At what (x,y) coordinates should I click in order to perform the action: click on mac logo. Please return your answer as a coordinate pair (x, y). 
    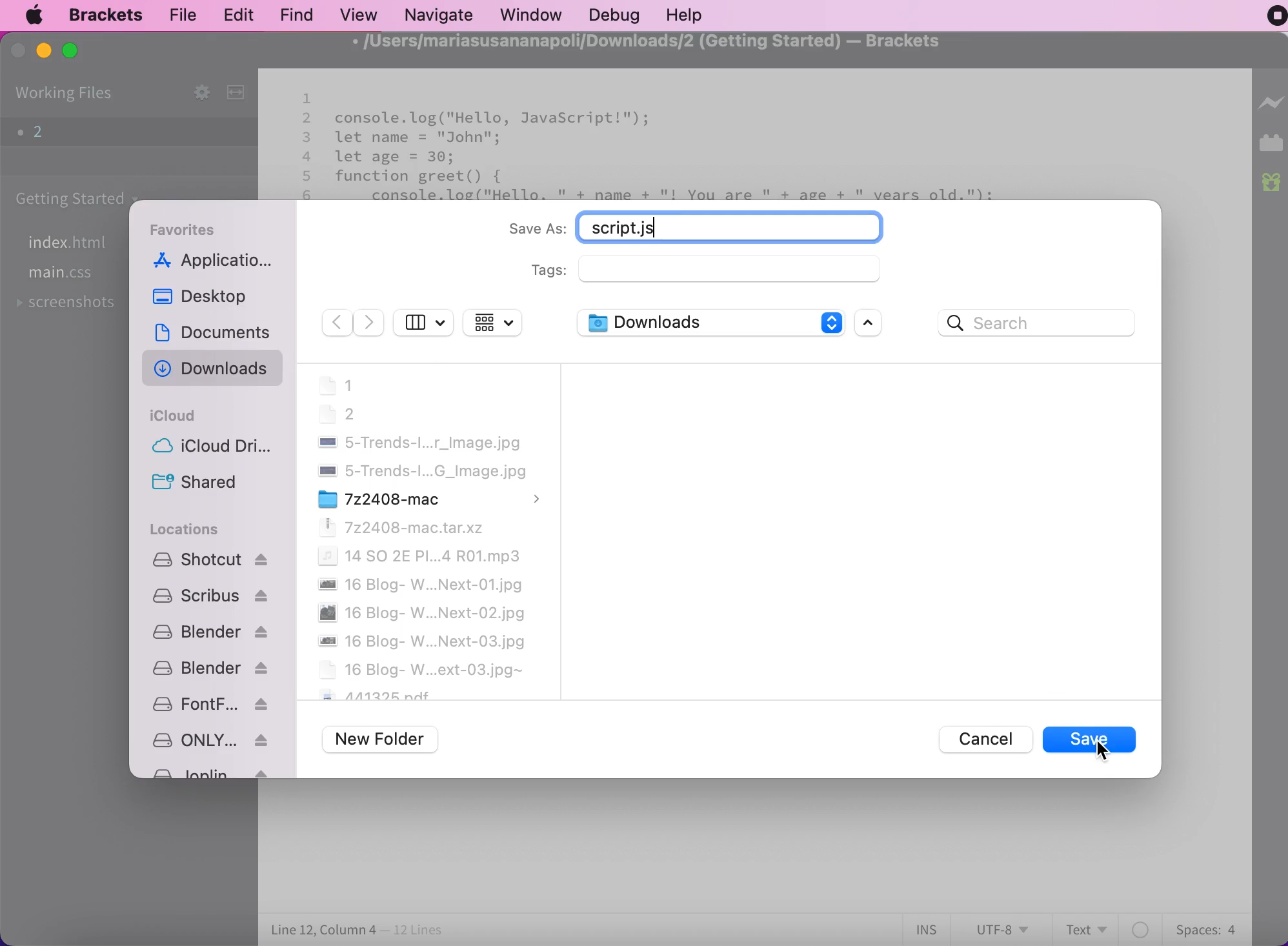
    Looking at the image, I should click on (37, 15).